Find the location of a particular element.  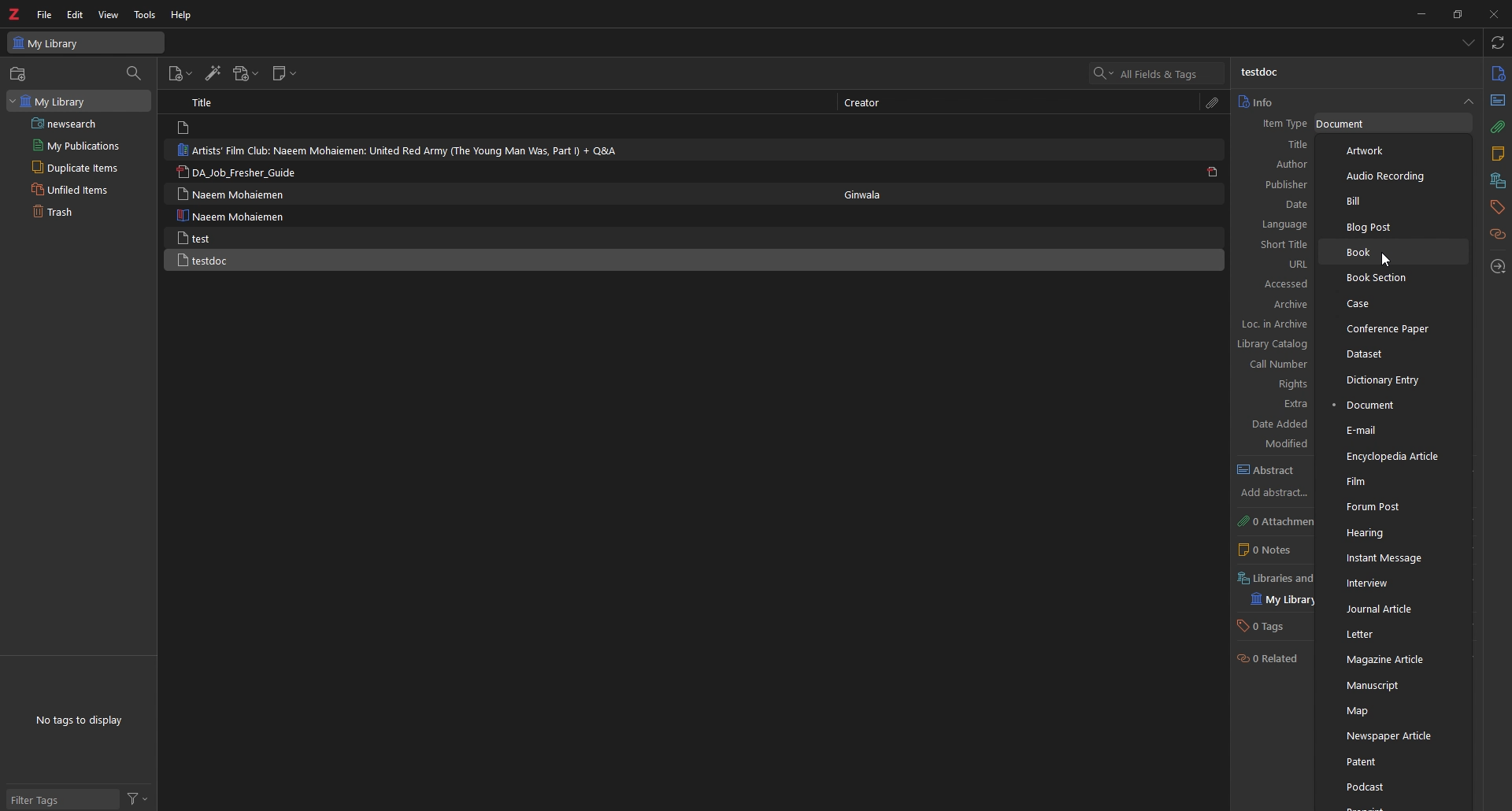

filter tags is located at coordinates (64, 799).